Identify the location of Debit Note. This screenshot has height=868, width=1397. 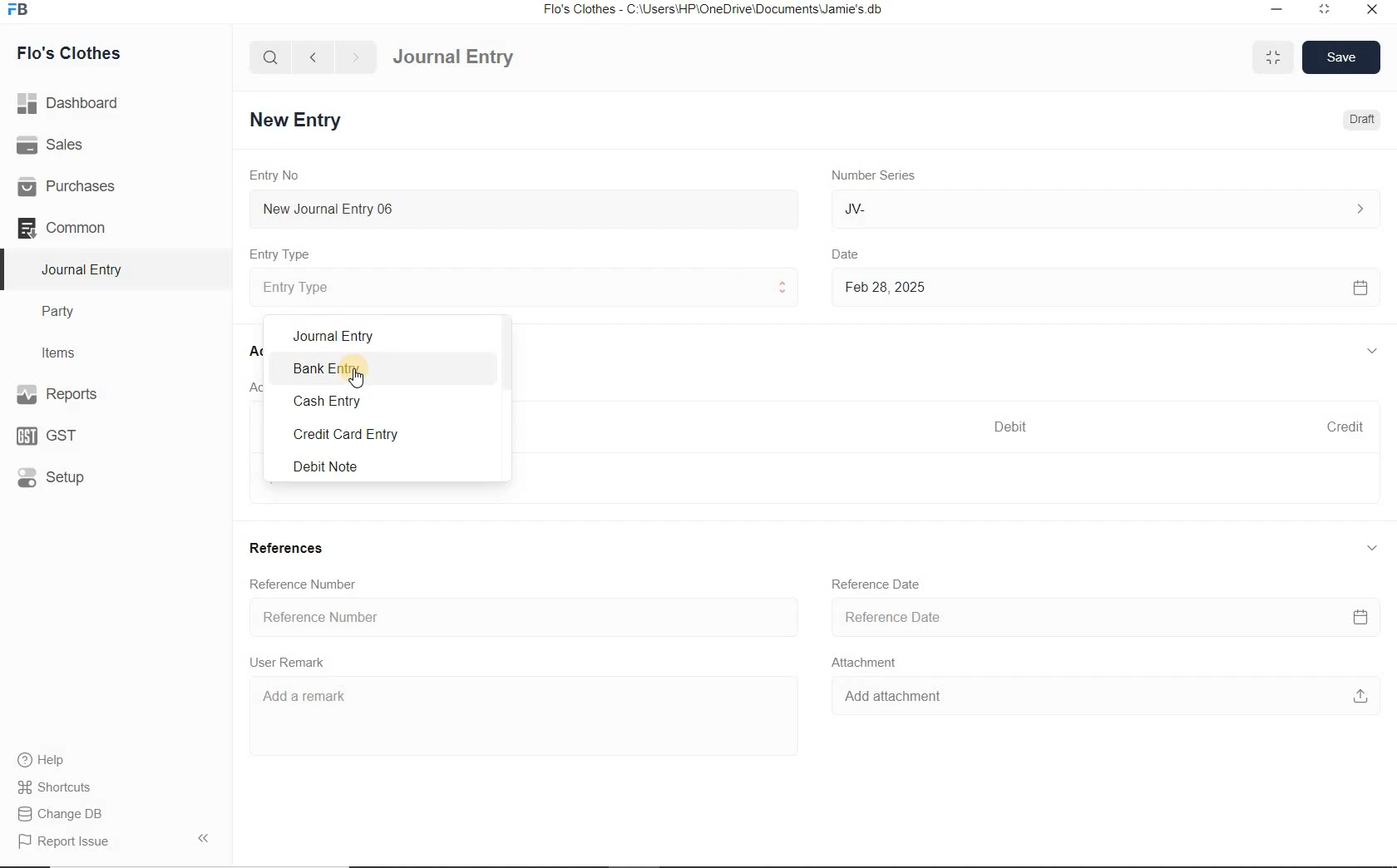
(354, 466).